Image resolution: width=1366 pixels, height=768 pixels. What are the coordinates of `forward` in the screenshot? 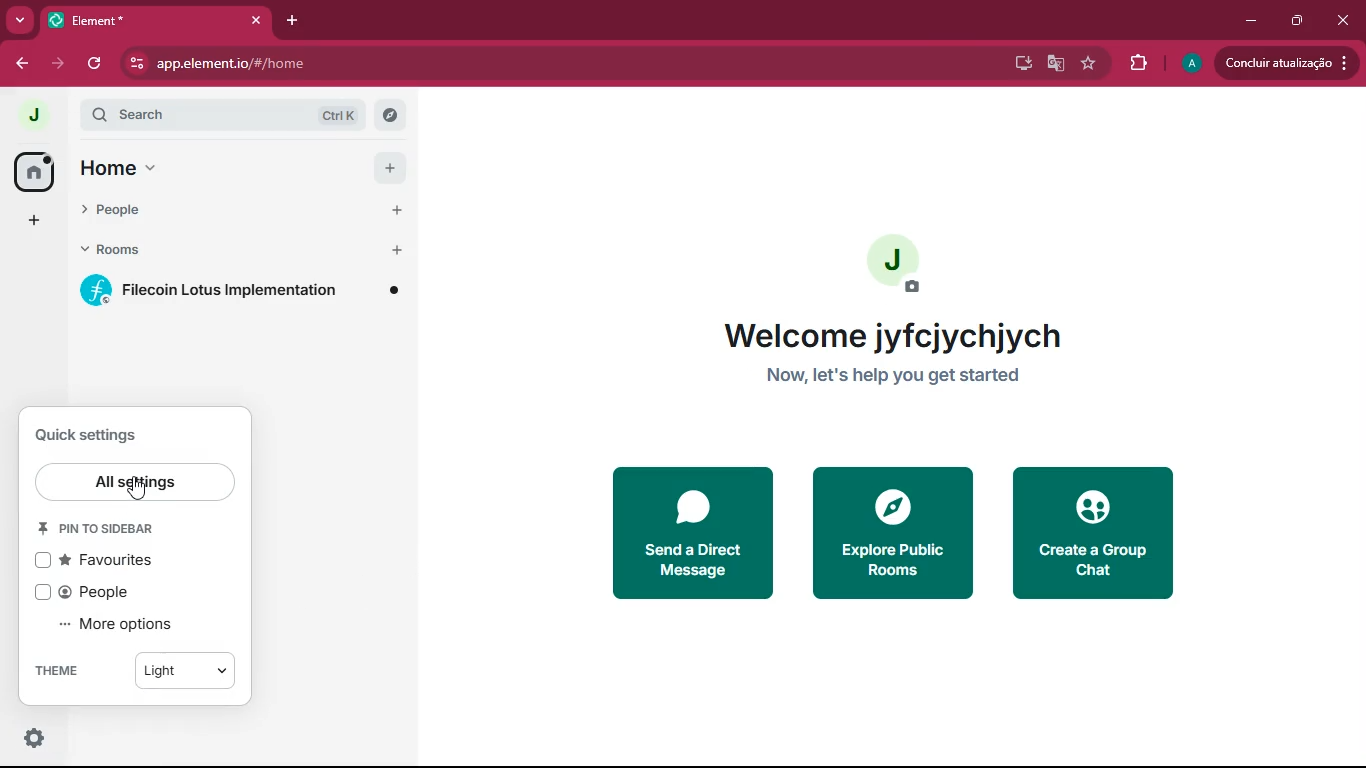 It's located at (56, 64).